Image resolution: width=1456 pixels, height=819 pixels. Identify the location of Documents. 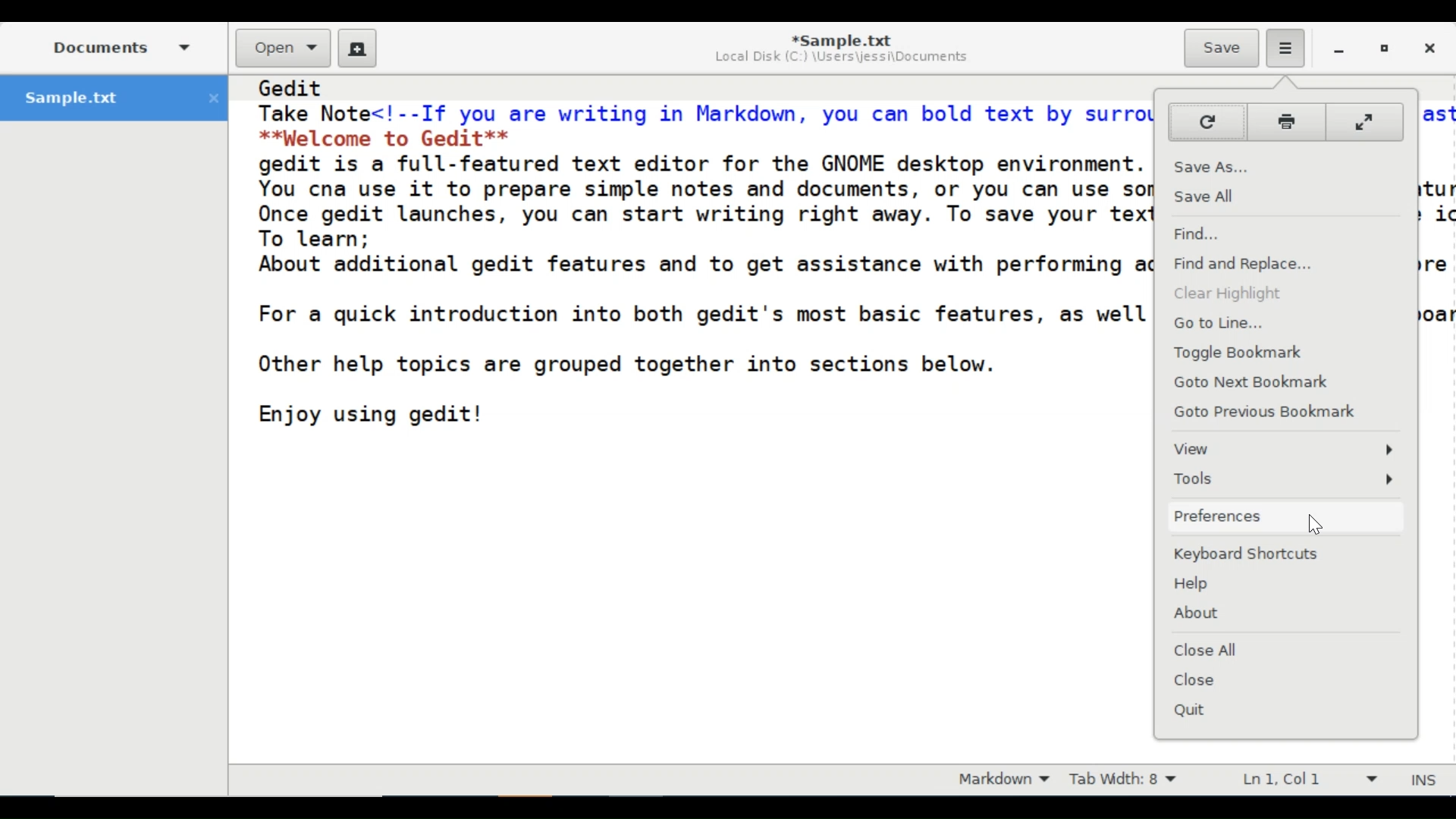
(119, 47).